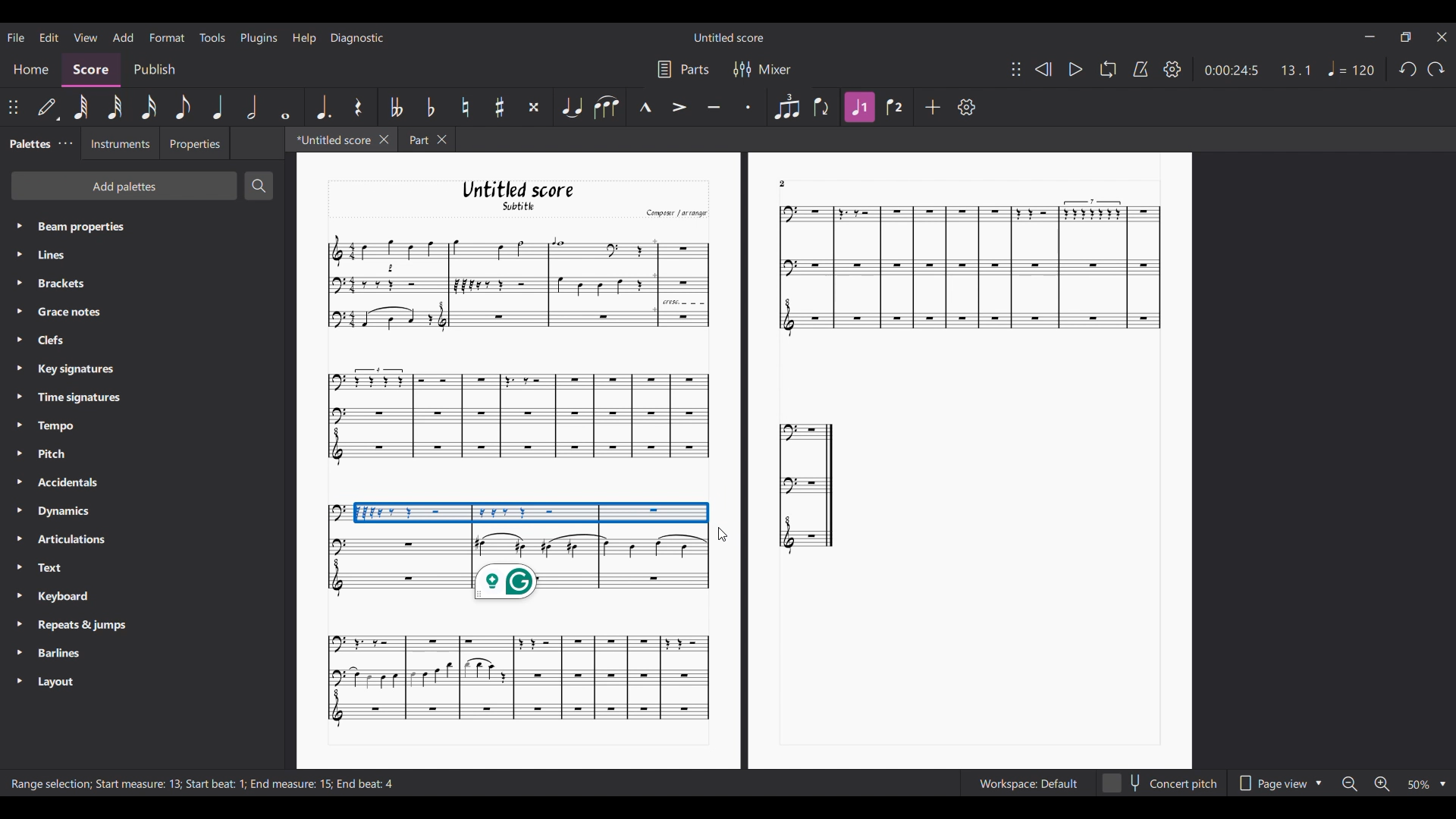 The image size is (1456, 819). What do you see at coordinates (252, 107) in the screenshot?
I see `Half note` at bounding box center [252, 107].